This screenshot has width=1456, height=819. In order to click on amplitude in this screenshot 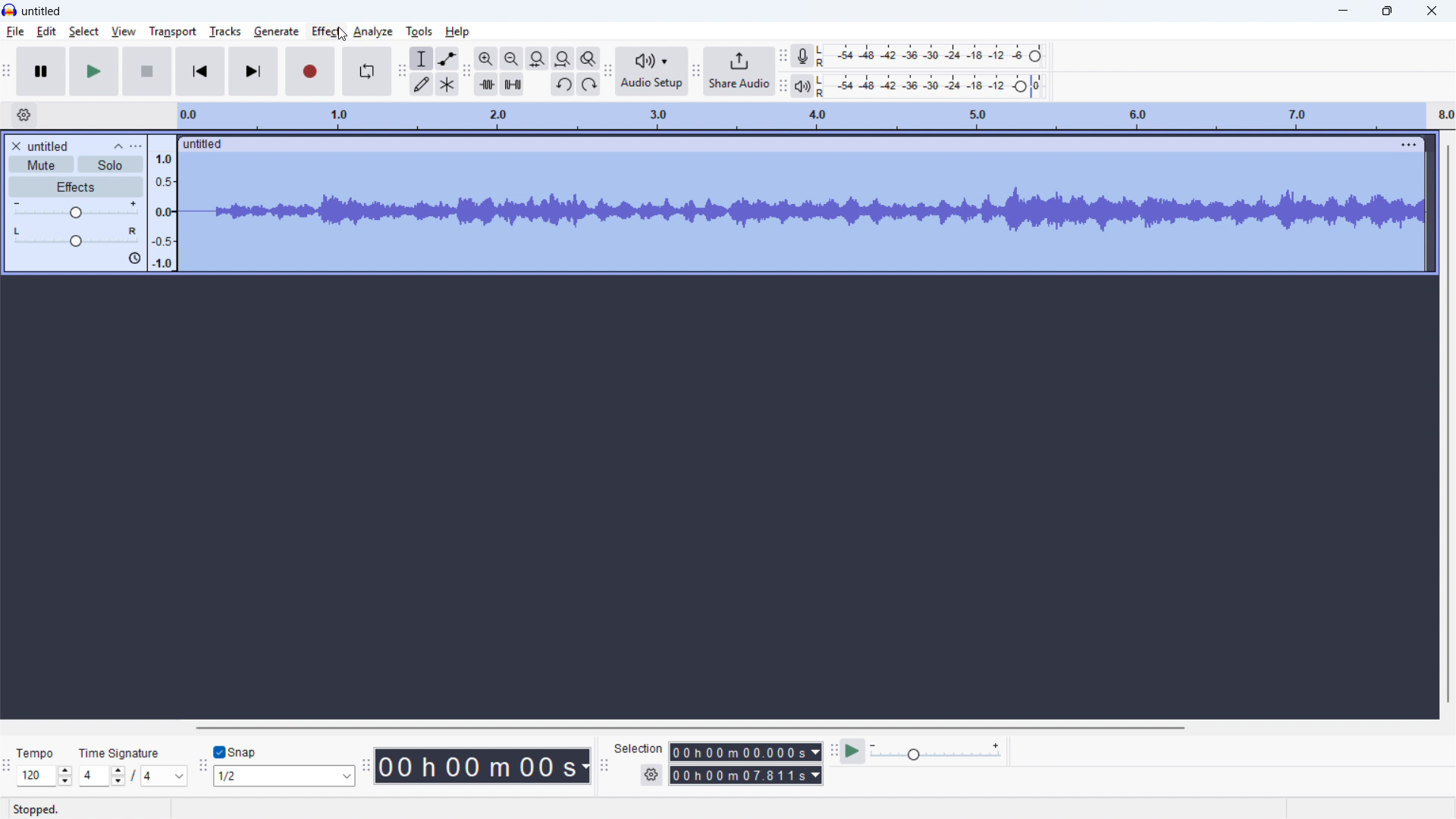, I will do `click(162, 203)`.